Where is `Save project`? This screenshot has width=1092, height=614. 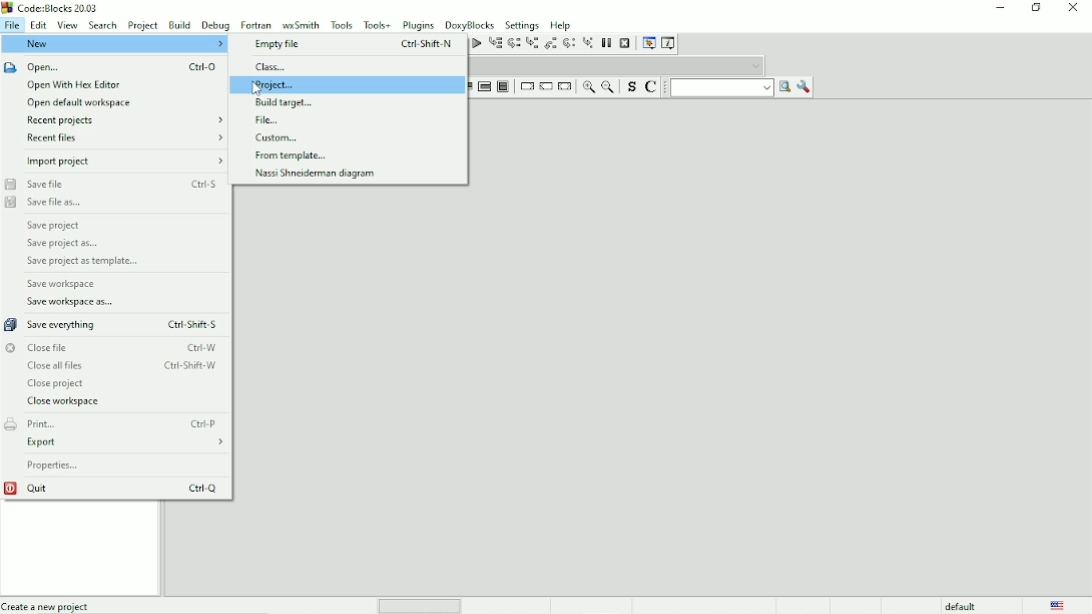
Save project is located at coordinates (56, 225).